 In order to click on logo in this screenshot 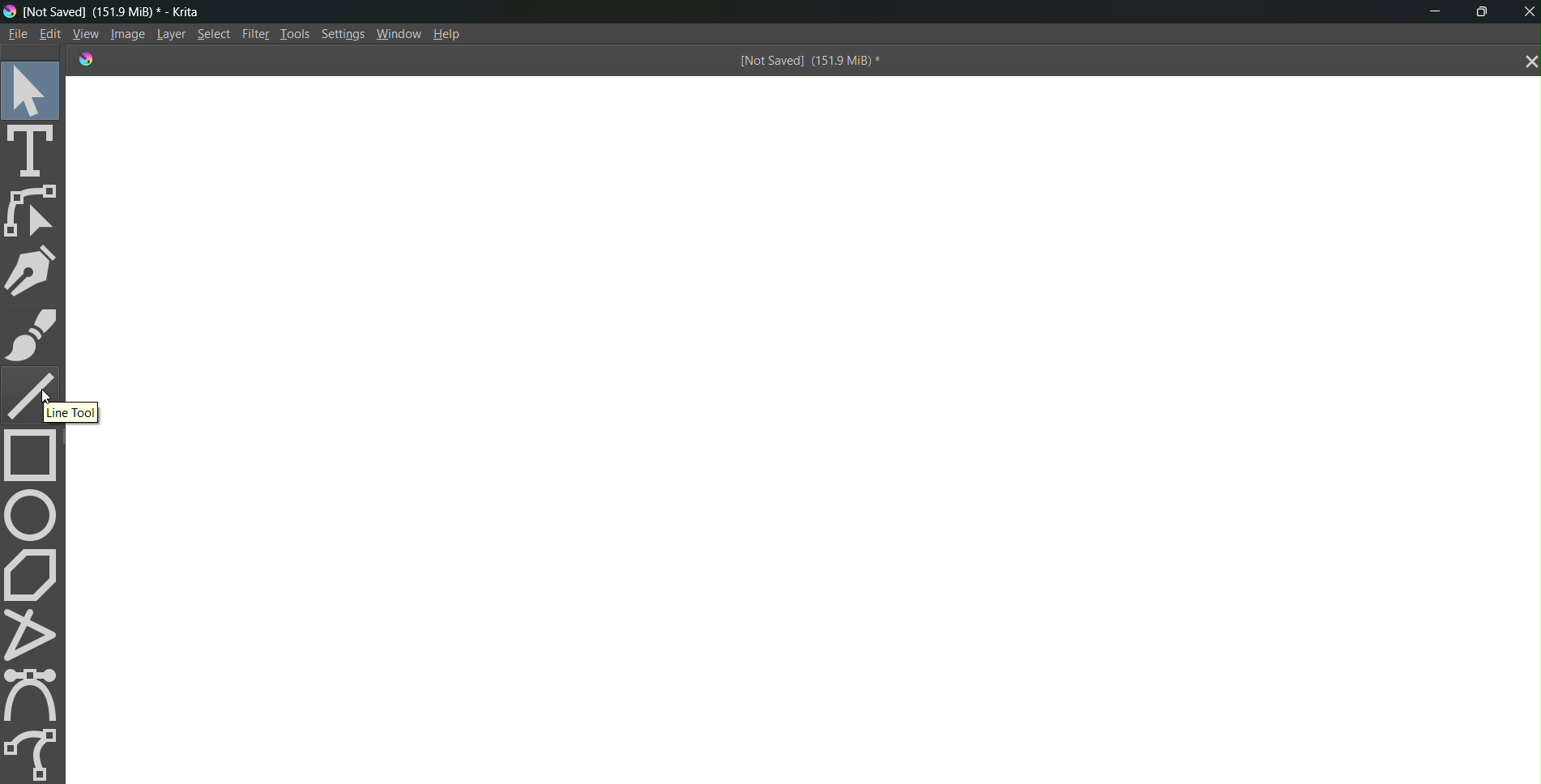, I will do `click(10, 11)`.